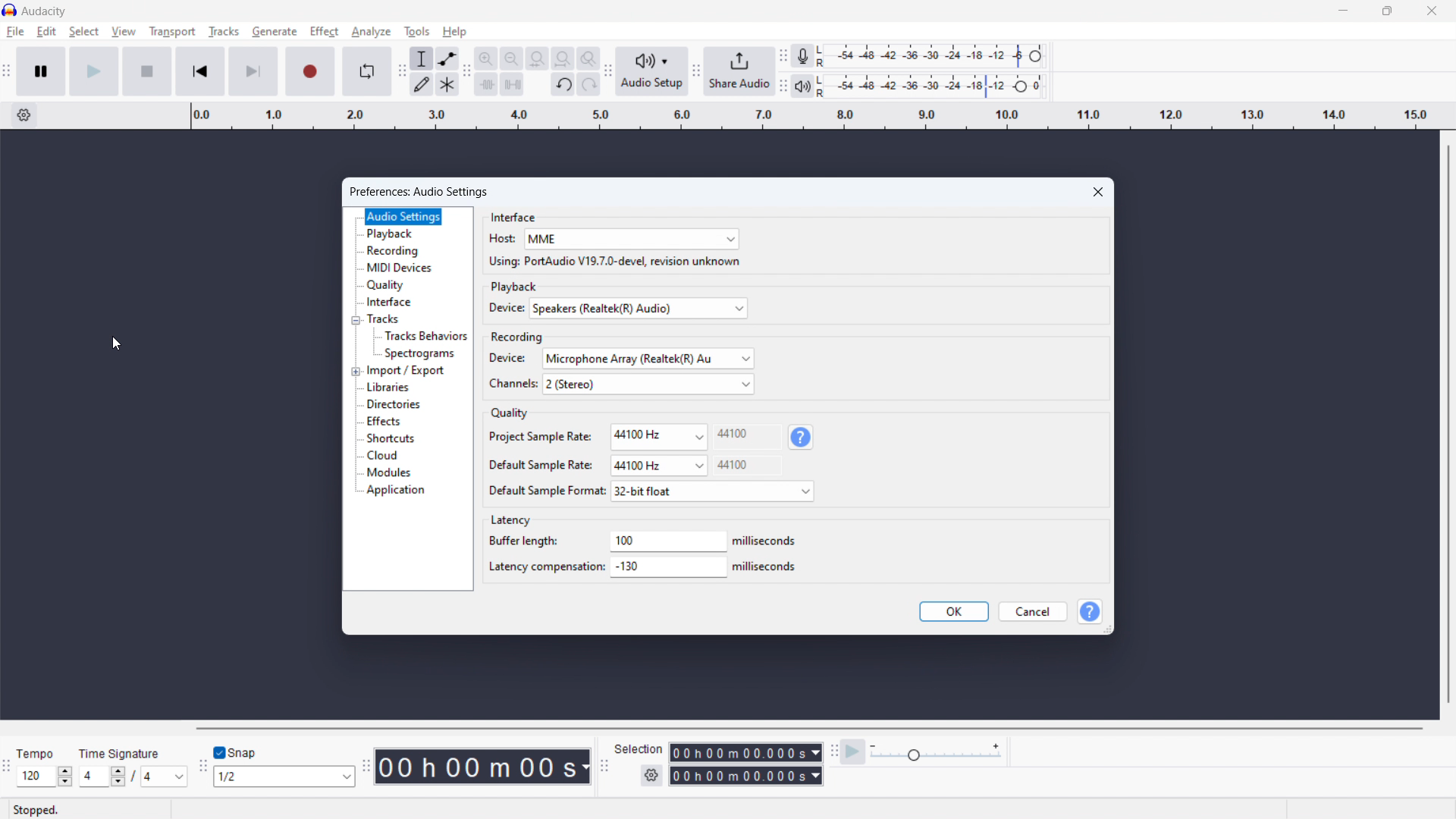 The image size is (1456, 819). Describe the element at coordinates (510, 520) in the screenshot. I see `latency` at that location.